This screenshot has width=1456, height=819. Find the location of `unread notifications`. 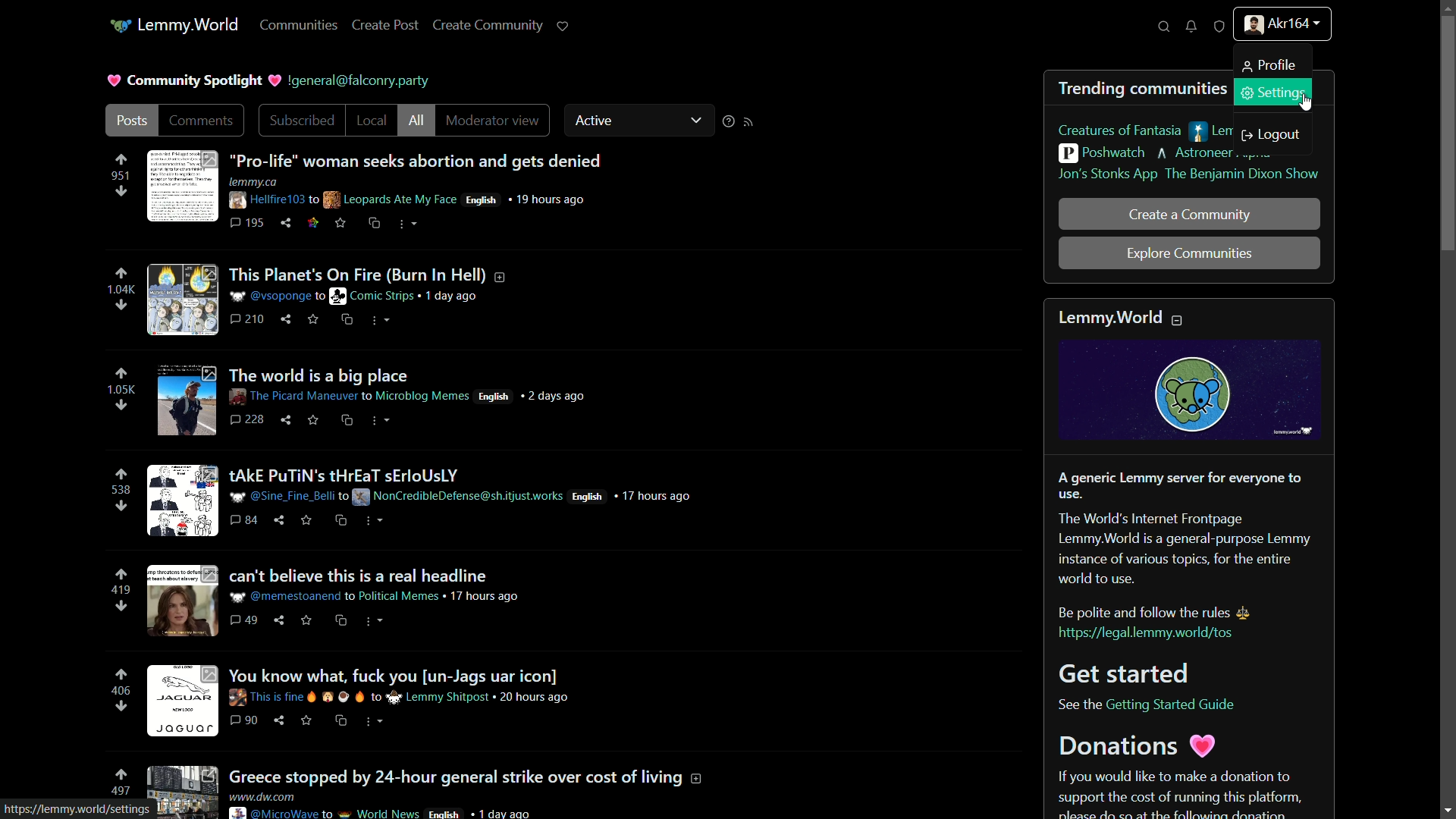

unread notifications is located at coordinates (1191, 27).